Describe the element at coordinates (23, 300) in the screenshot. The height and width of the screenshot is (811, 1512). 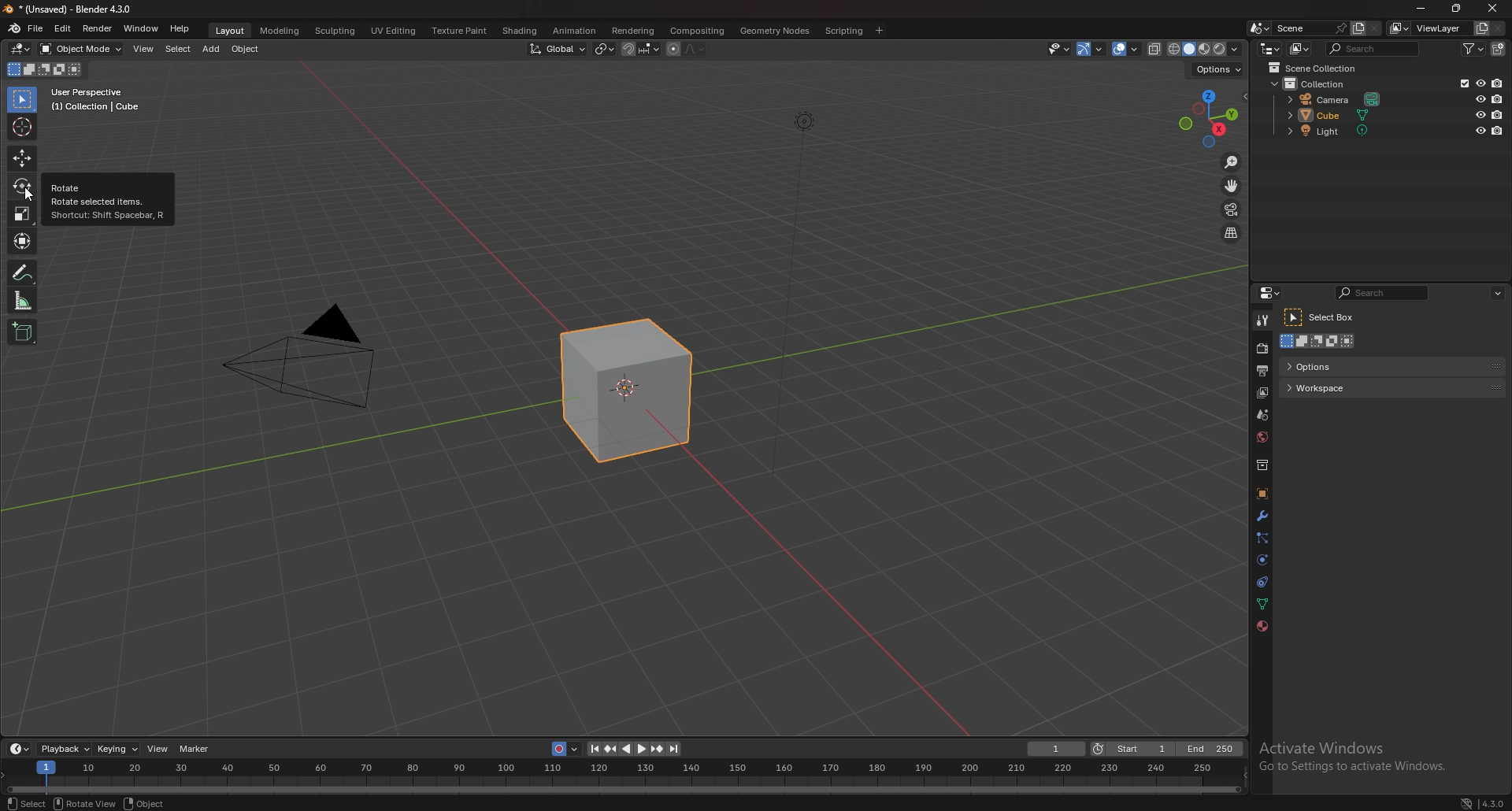
I see `measure` at that location.